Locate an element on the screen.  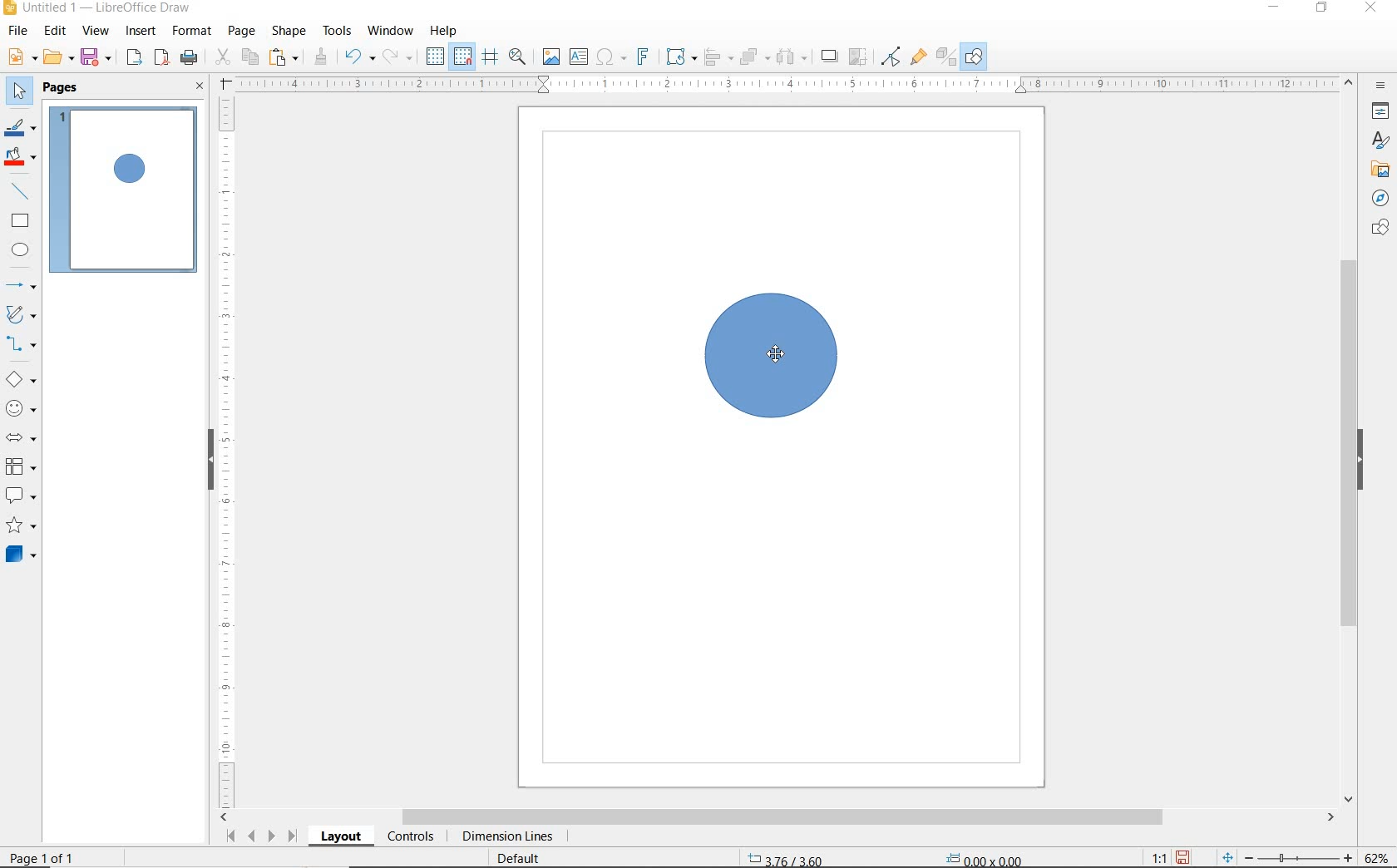
Last page is located at coordinates (292, 837).